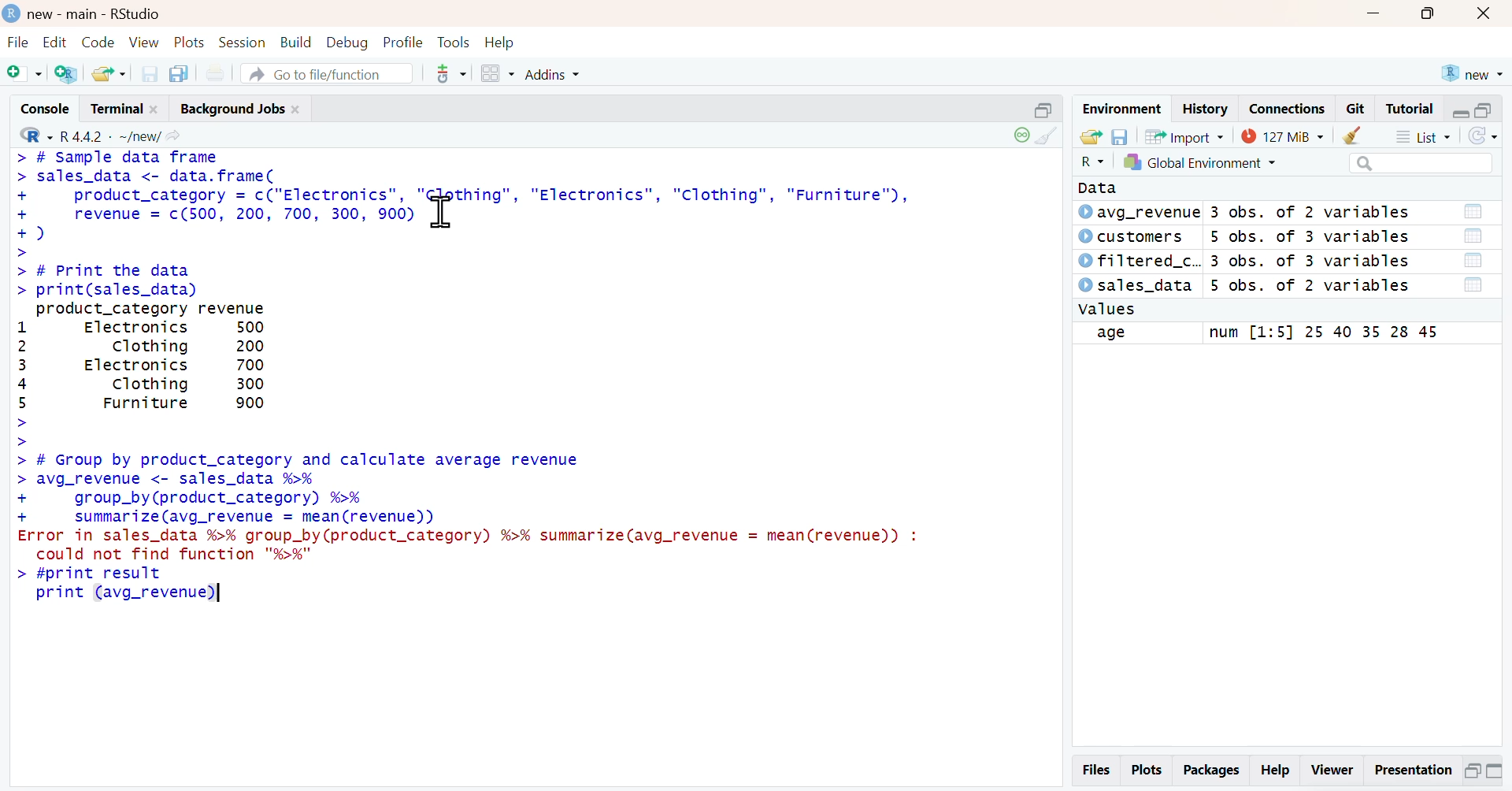 This screenshot has width=1512, height=791. Describe the element at coordinates (243, 42) in the screenshot. I see `Session` at that location.